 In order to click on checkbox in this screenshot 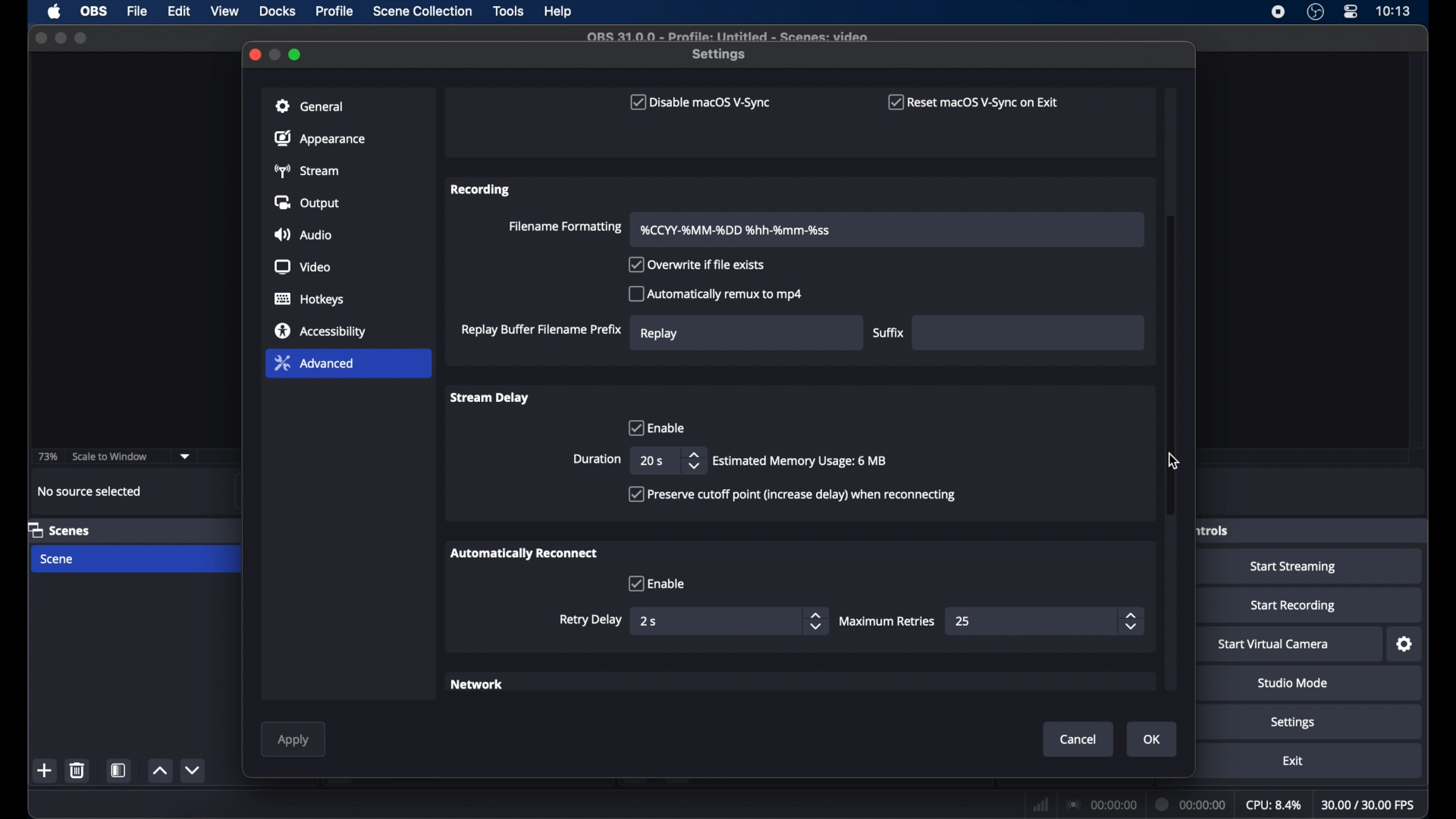, I will do `click(656, 583)`.